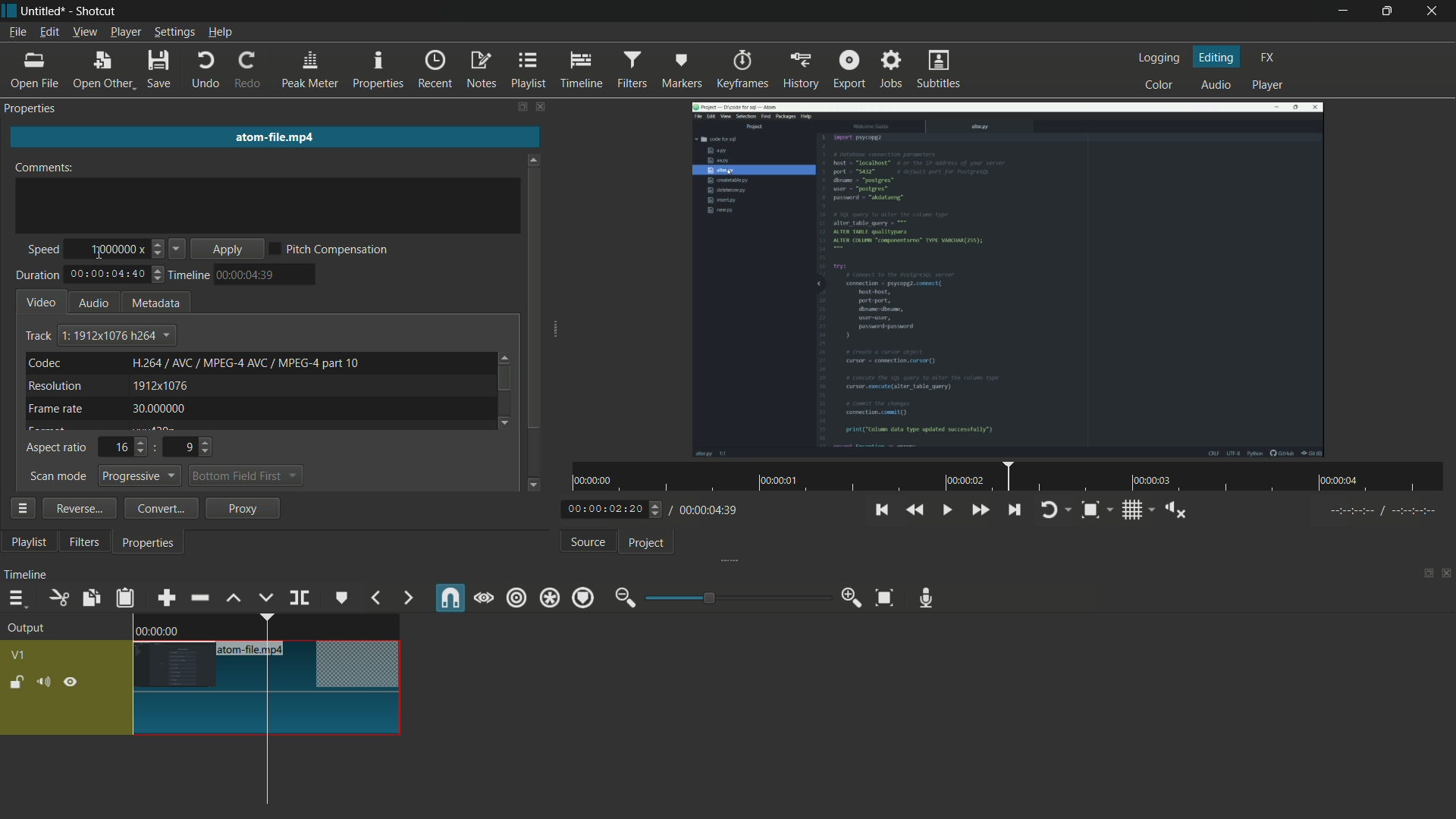  Describe the element at coordinates (1171, 510) in the screenshot. I see `show volume control` at that location.